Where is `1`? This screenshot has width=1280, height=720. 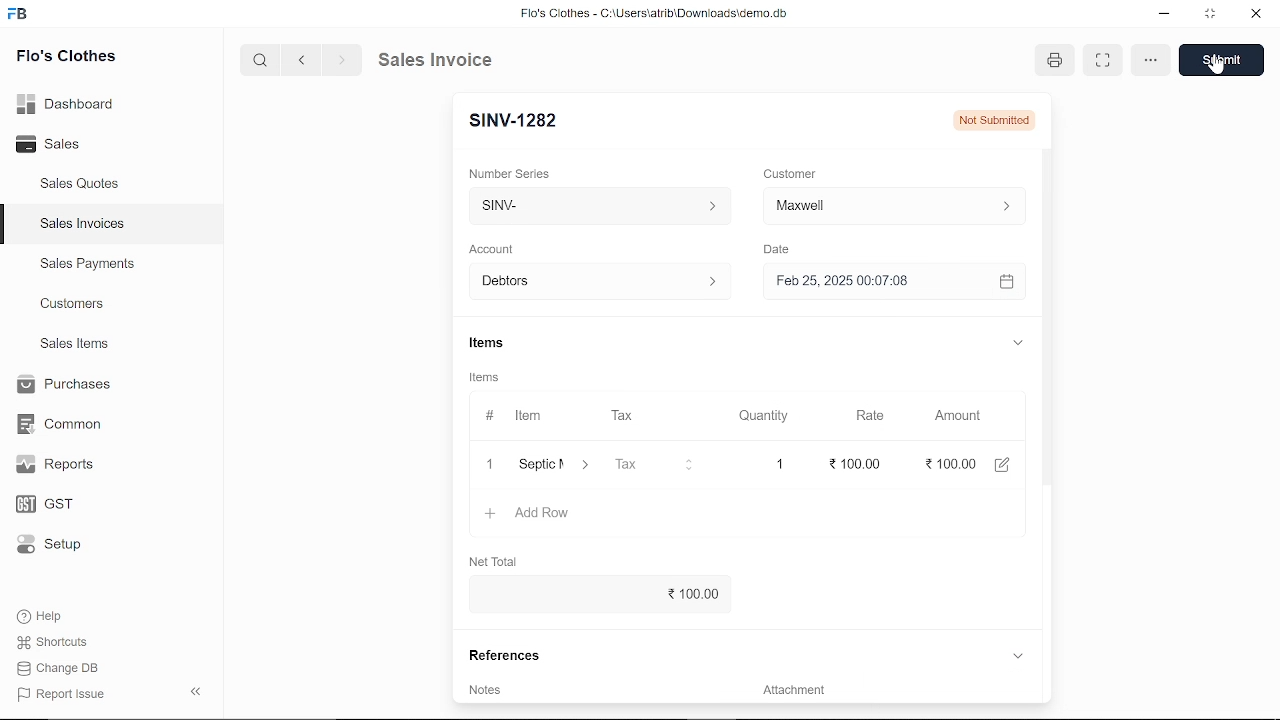 1 is located at coordinates (779, 464).